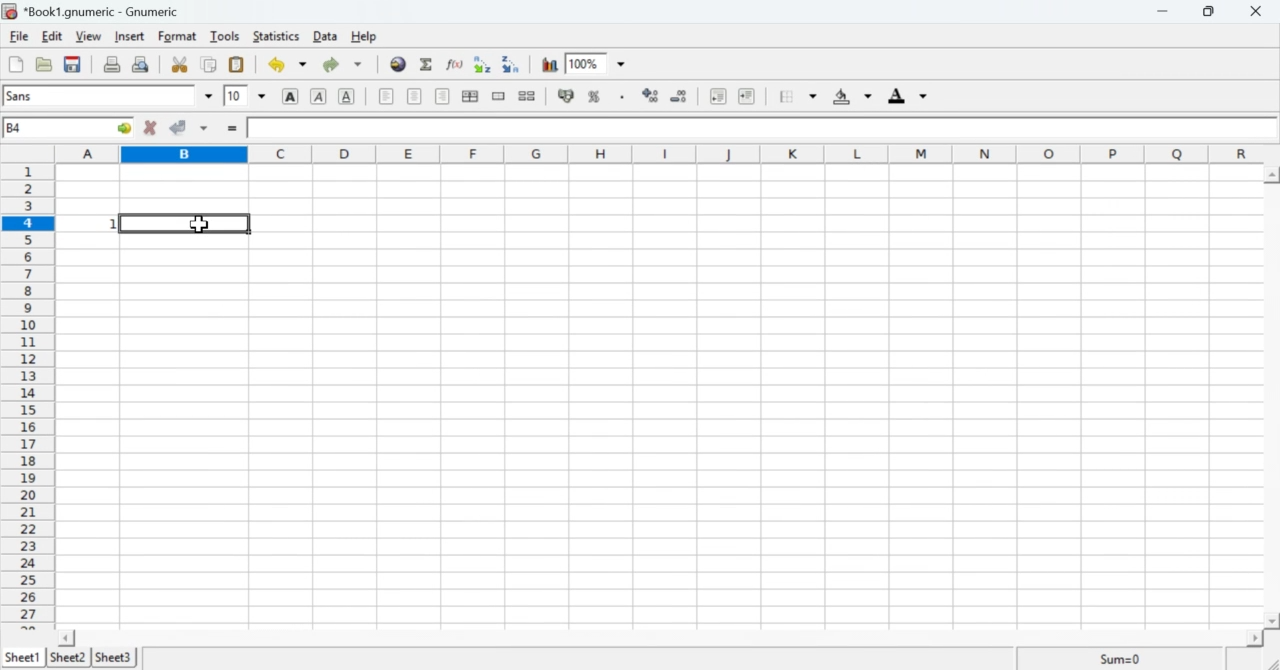 The width and height of the screenshot is (1280, 670). I want to click on Paste the clipboard, so click(238, 63).